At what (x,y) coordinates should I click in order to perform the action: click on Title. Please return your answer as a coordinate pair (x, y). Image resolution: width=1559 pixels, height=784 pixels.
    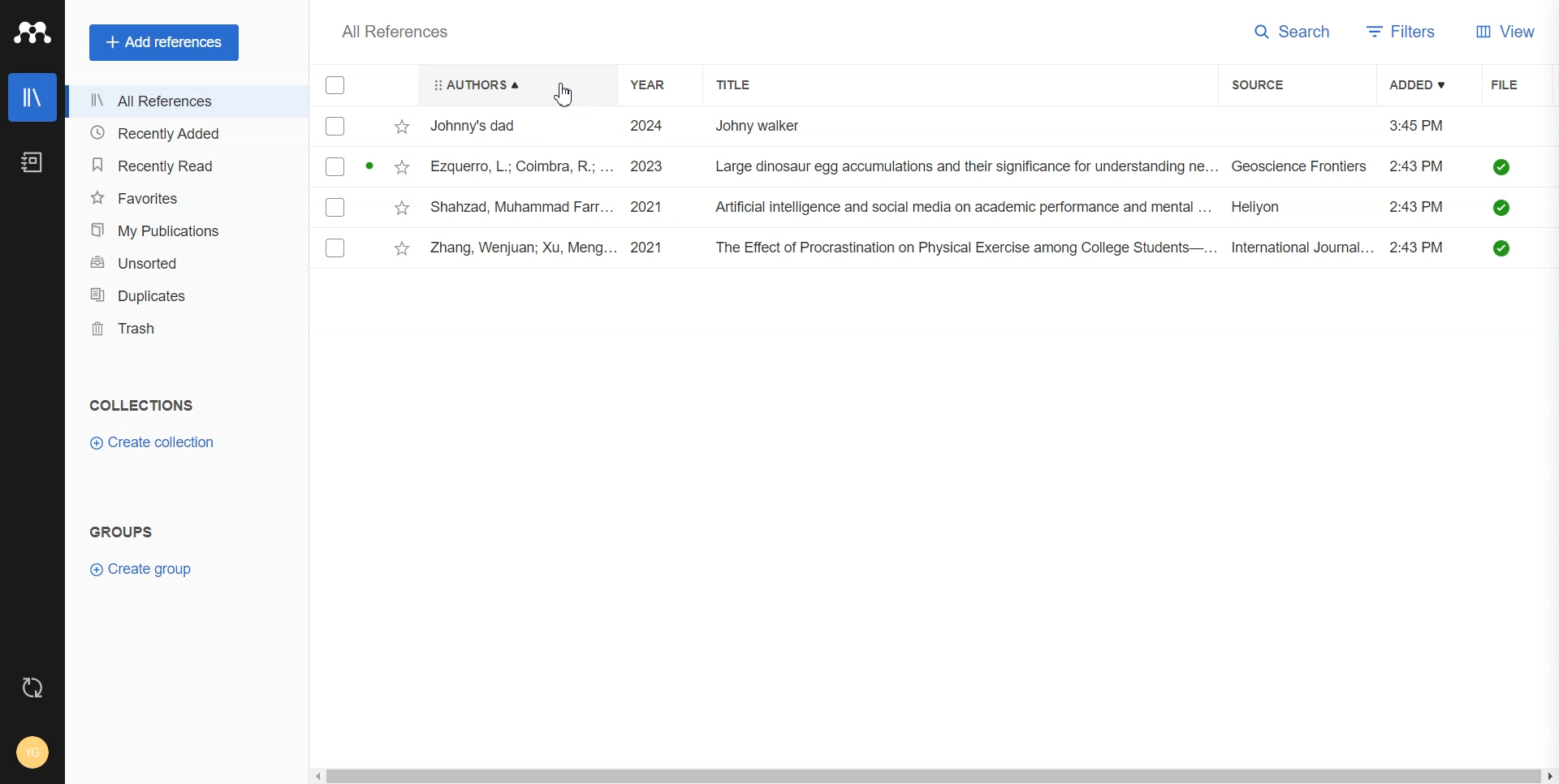
    Looking at the image, I should click on (747, 84).